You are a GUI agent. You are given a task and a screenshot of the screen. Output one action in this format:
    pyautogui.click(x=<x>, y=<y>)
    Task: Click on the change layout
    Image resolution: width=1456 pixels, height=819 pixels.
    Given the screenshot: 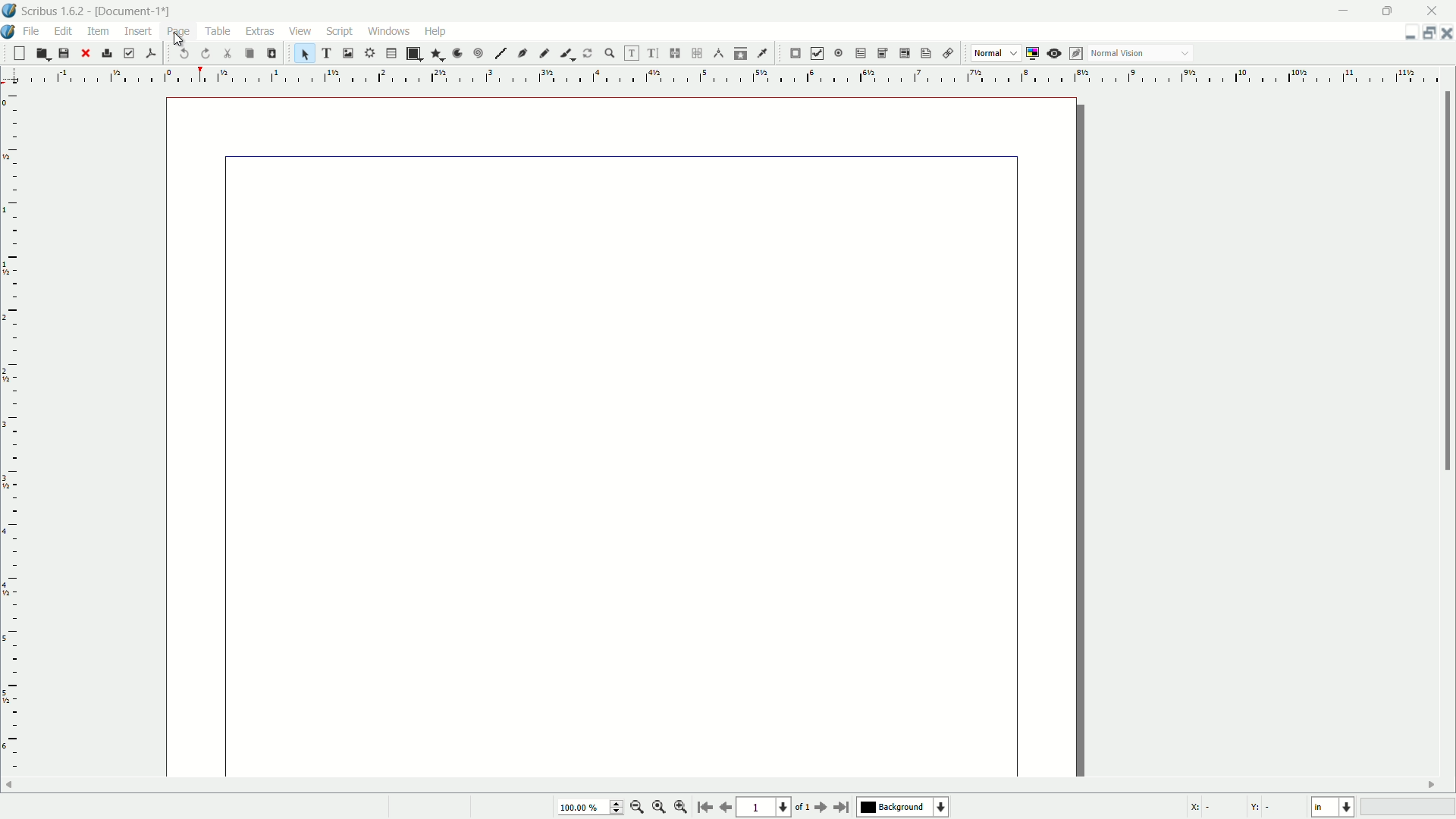 What is the action you would take?
    pyautogui.click(x=1426, y=33)
    